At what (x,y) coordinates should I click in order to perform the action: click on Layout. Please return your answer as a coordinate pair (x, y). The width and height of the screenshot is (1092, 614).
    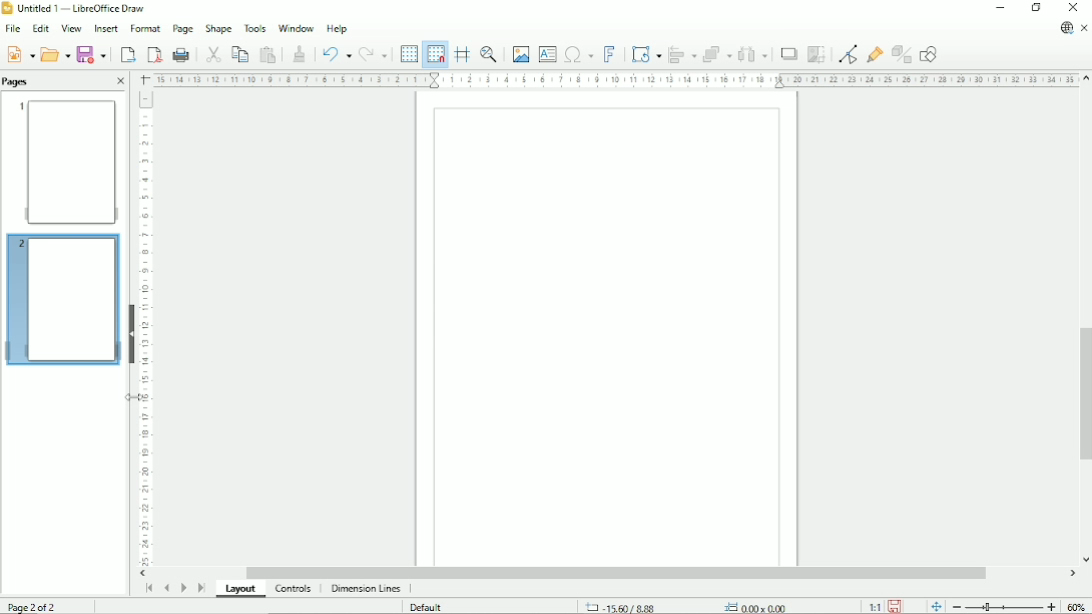
    Looking at the image, I should click on (243, 590).